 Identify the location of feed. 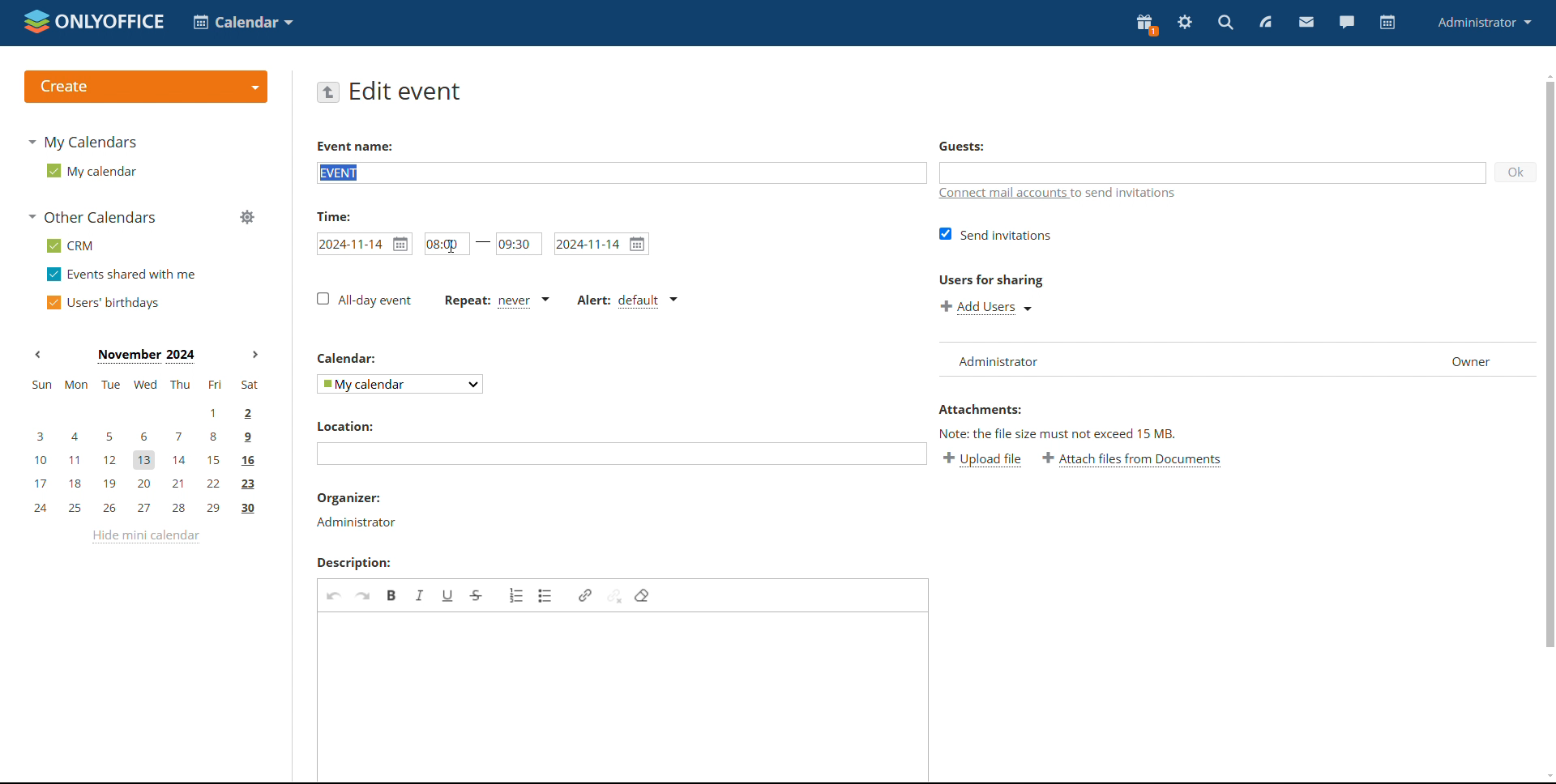
(1266, 23).